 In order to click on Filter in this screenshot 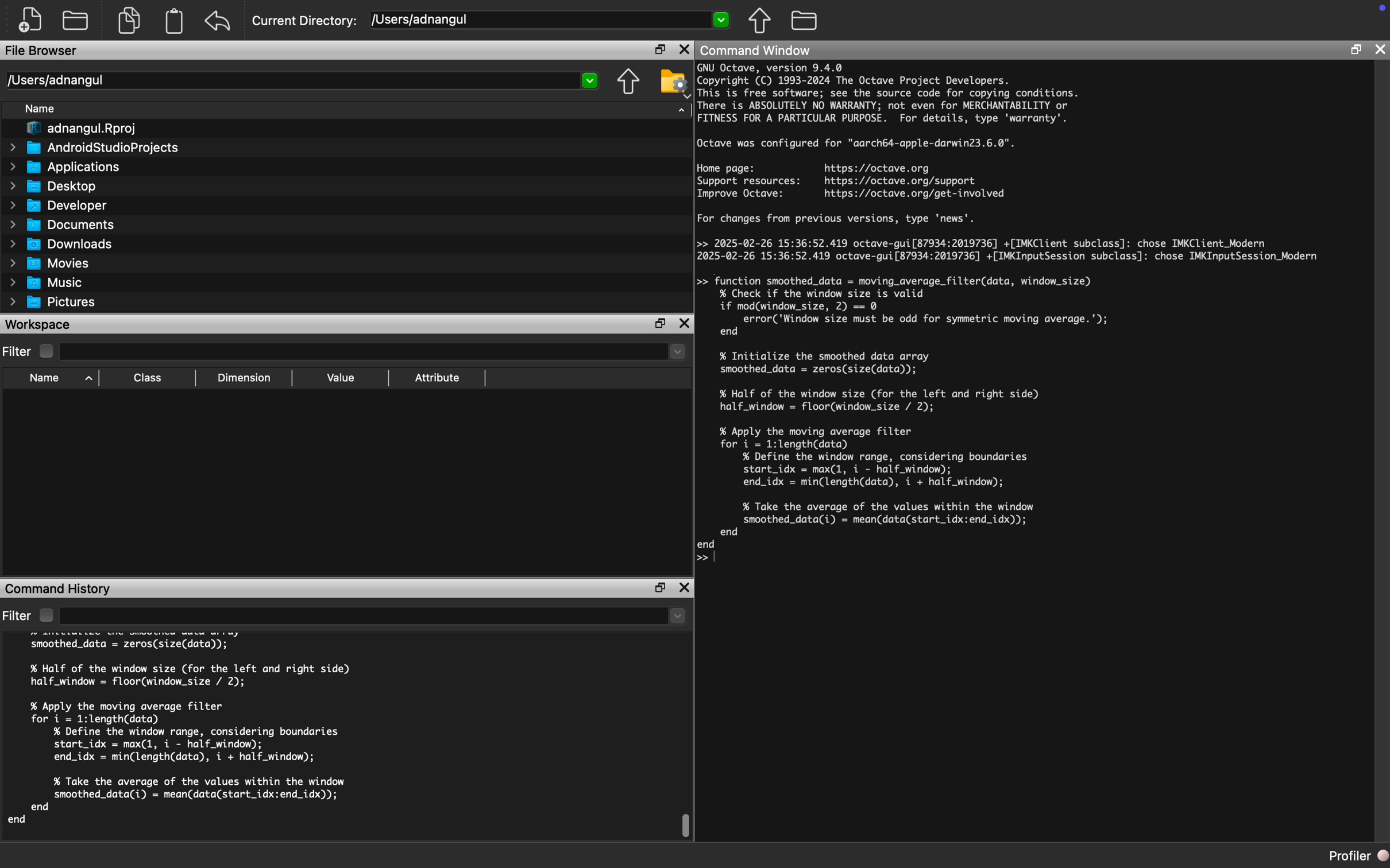, I will do `click(18, 617)`.